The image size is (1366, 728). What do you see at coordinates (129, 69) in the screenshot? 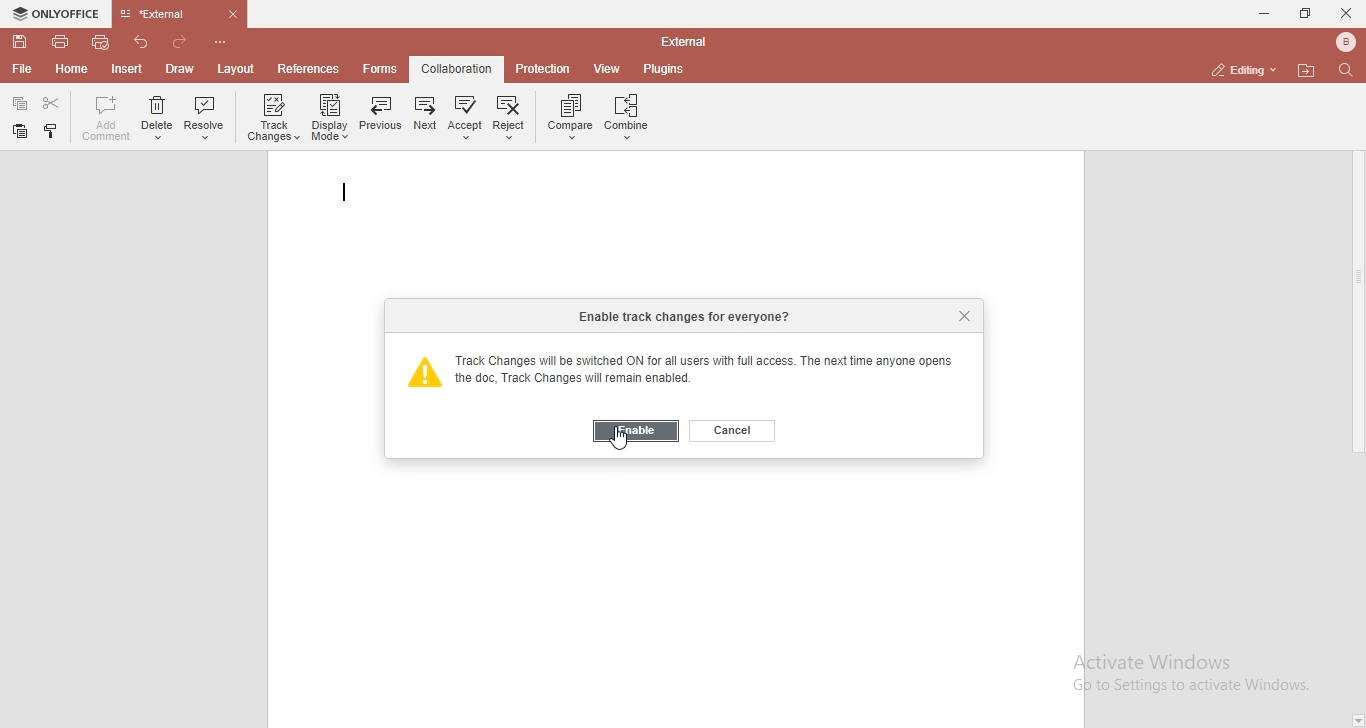
I see `insert` at bounding box center [129, 69].